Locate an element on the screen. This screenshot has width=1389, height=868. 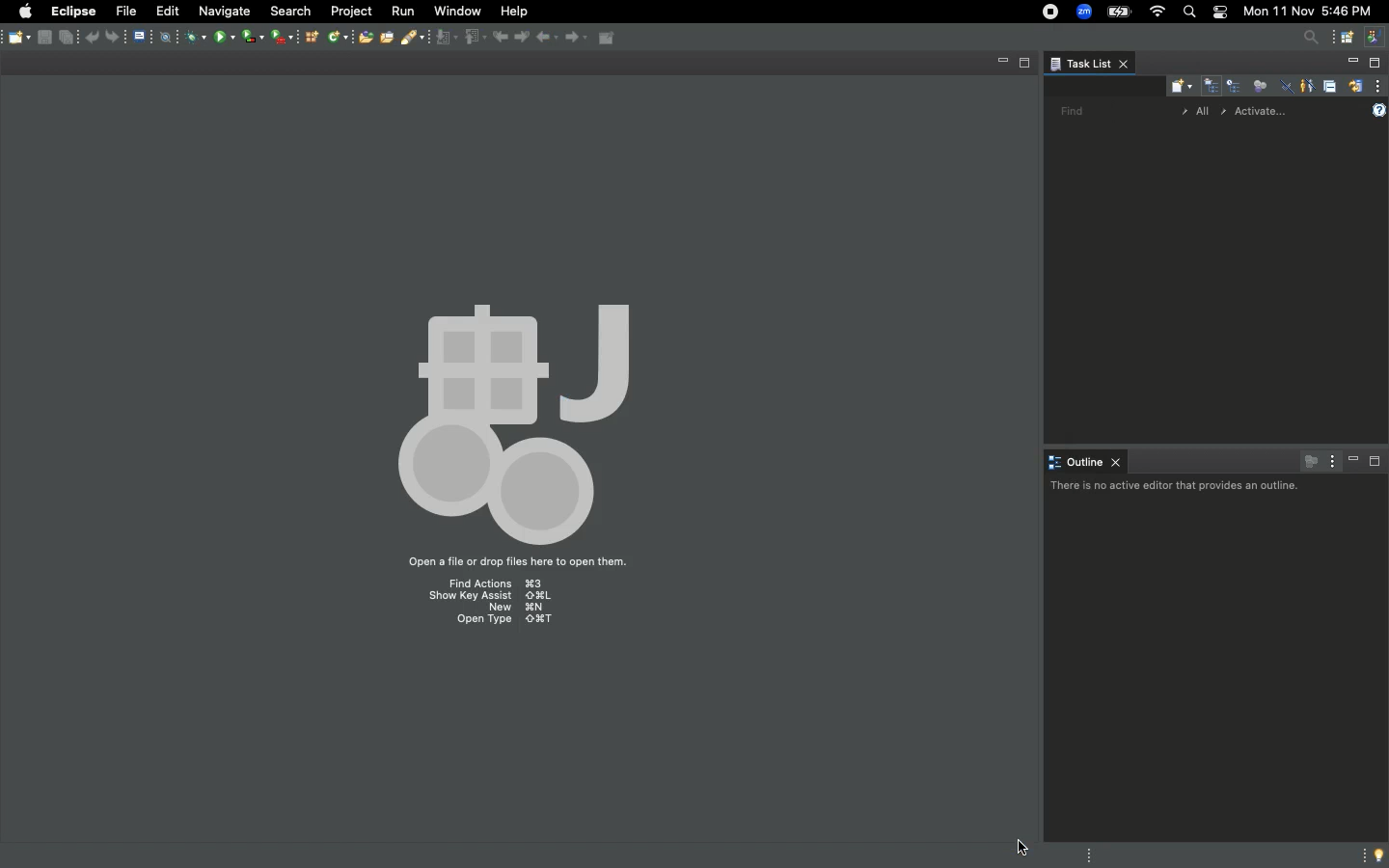
Focus on workweek is located at coordinates (1259, 84).